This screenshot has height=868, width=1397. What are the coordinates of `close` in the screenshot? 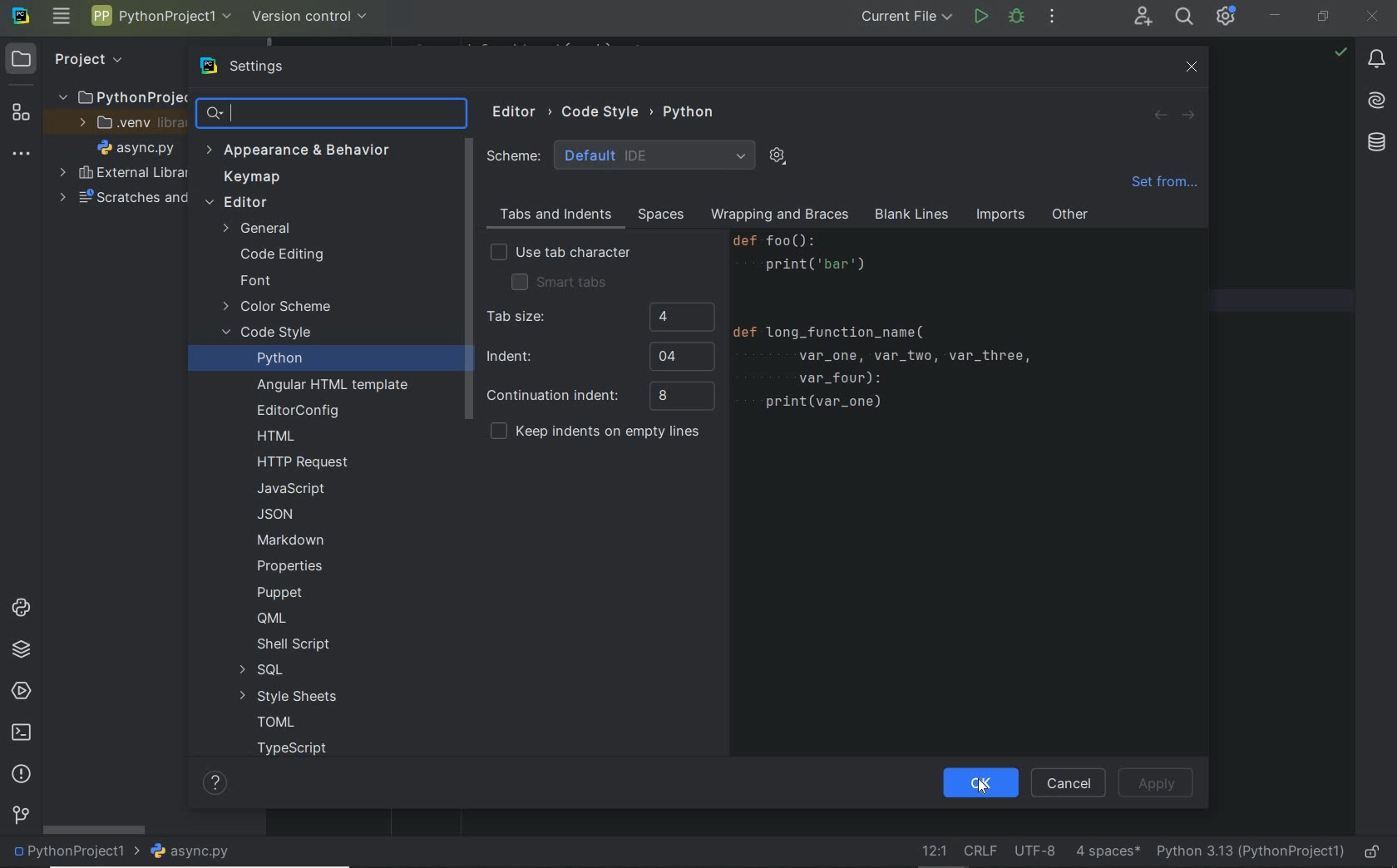 It's located at (1192, 67).